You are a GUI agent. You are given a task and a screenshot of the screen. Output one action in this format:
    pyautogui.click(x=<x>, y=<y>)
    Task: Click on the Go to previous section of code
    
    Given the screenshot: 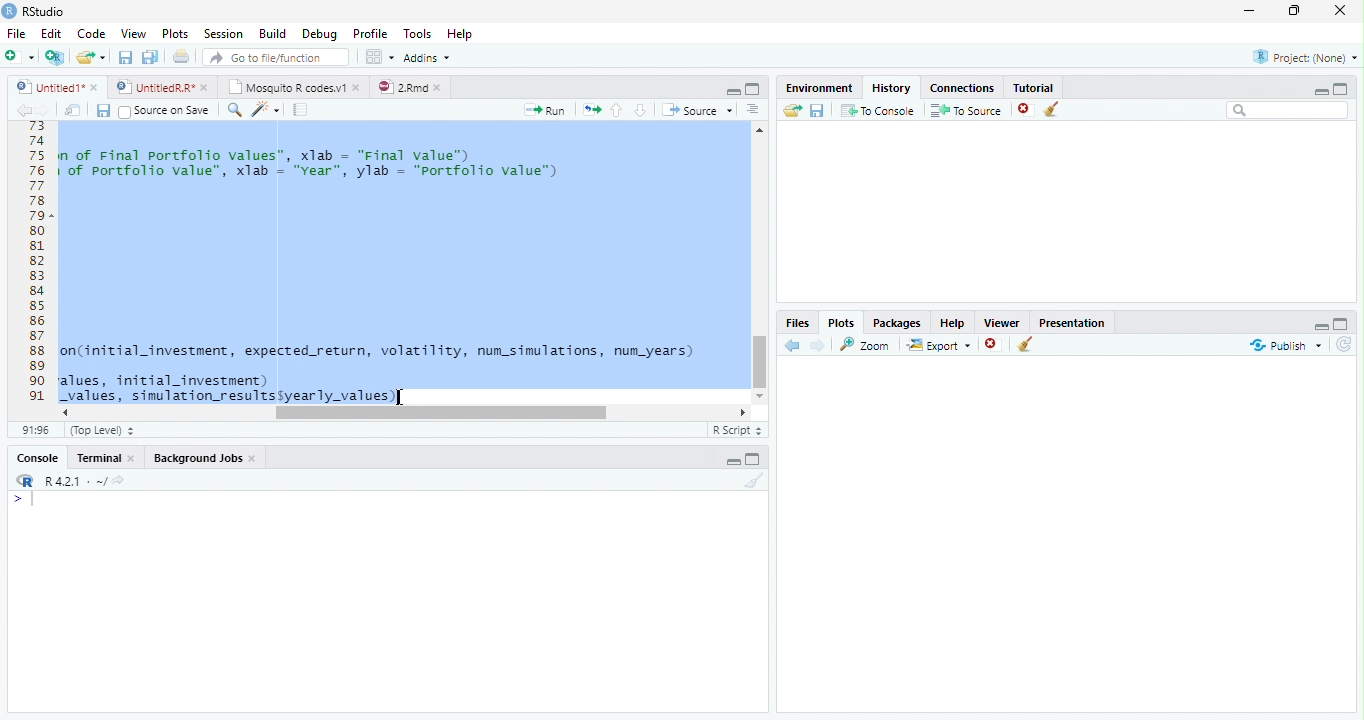 What is the action you would take?
    pyautogui.click(x=617, y=112)
    